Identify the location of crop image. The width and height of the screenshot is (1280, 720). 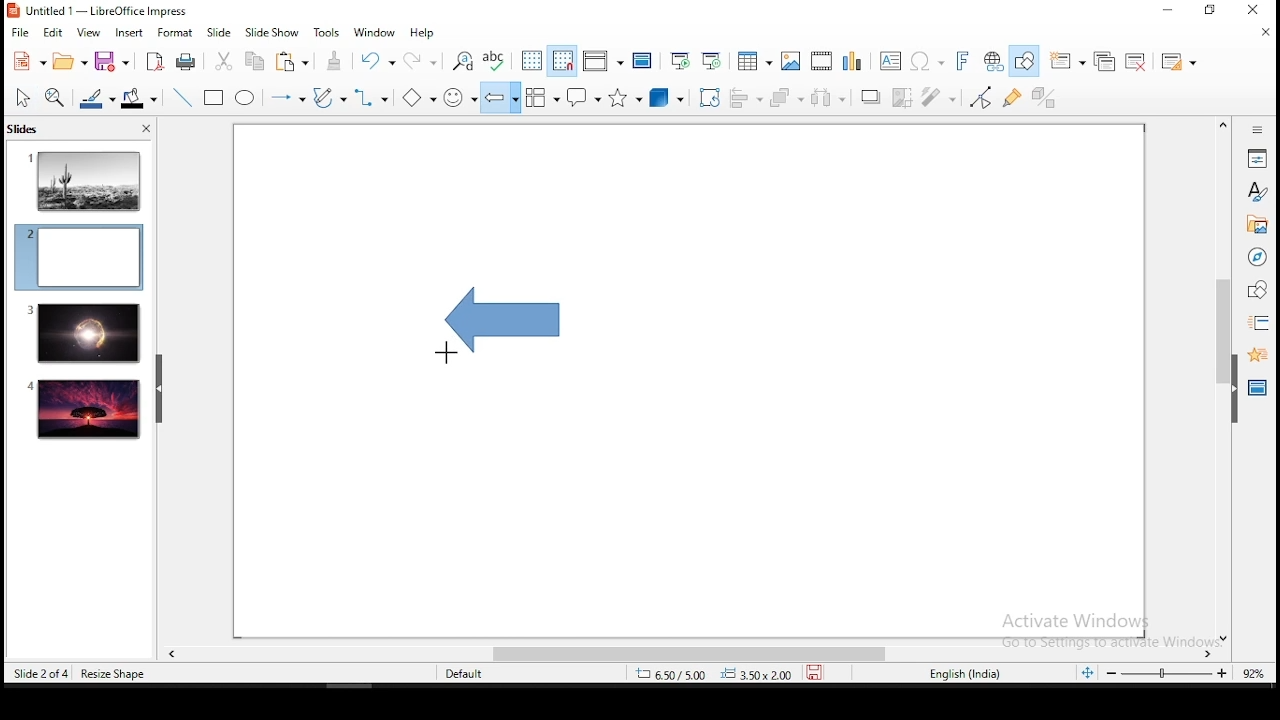
(903, 96).